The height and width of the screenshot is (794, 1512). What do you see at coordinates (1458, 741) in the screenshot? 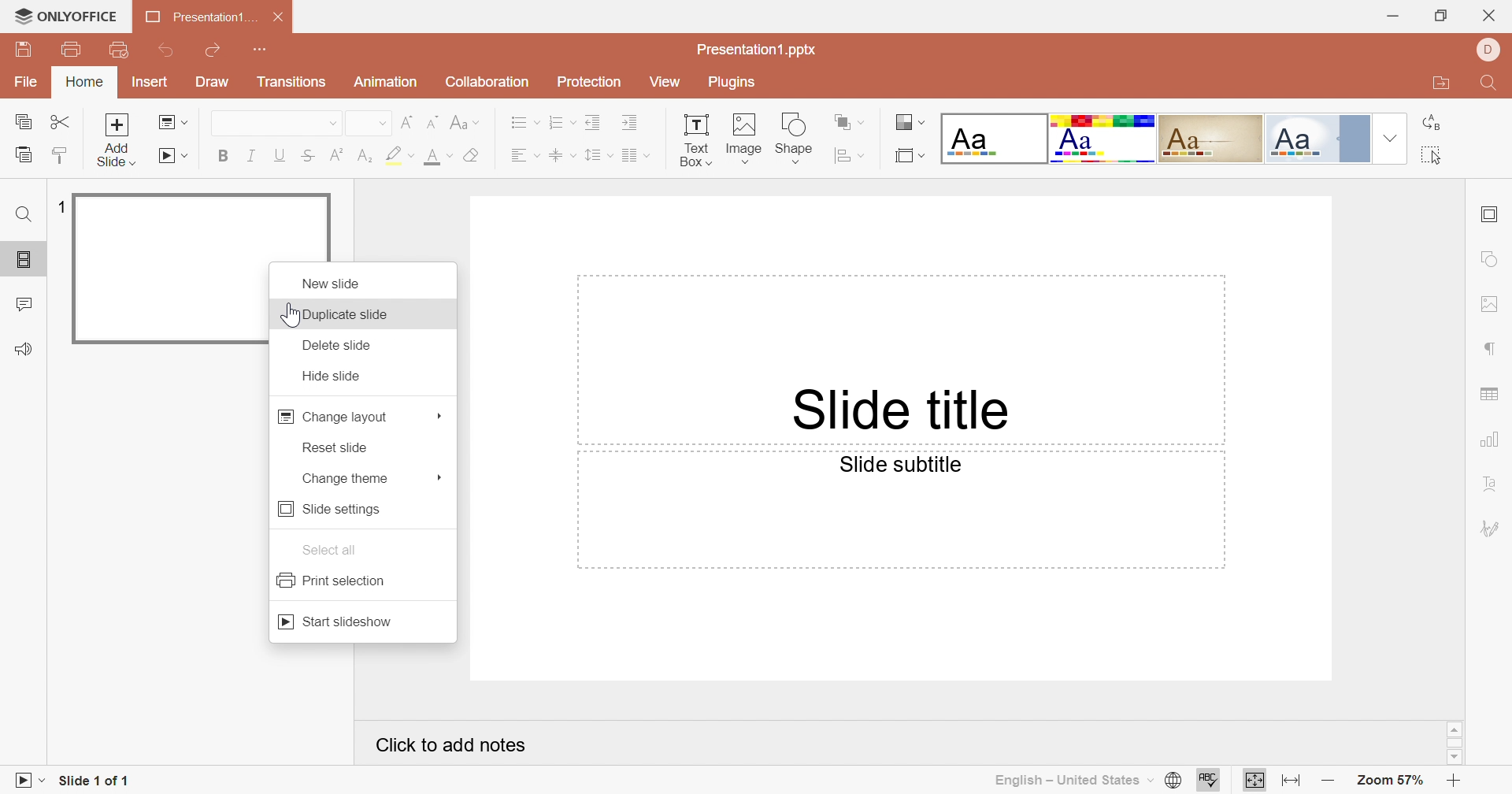
I see `Scroll bar` at bounding box center [1458, 741].